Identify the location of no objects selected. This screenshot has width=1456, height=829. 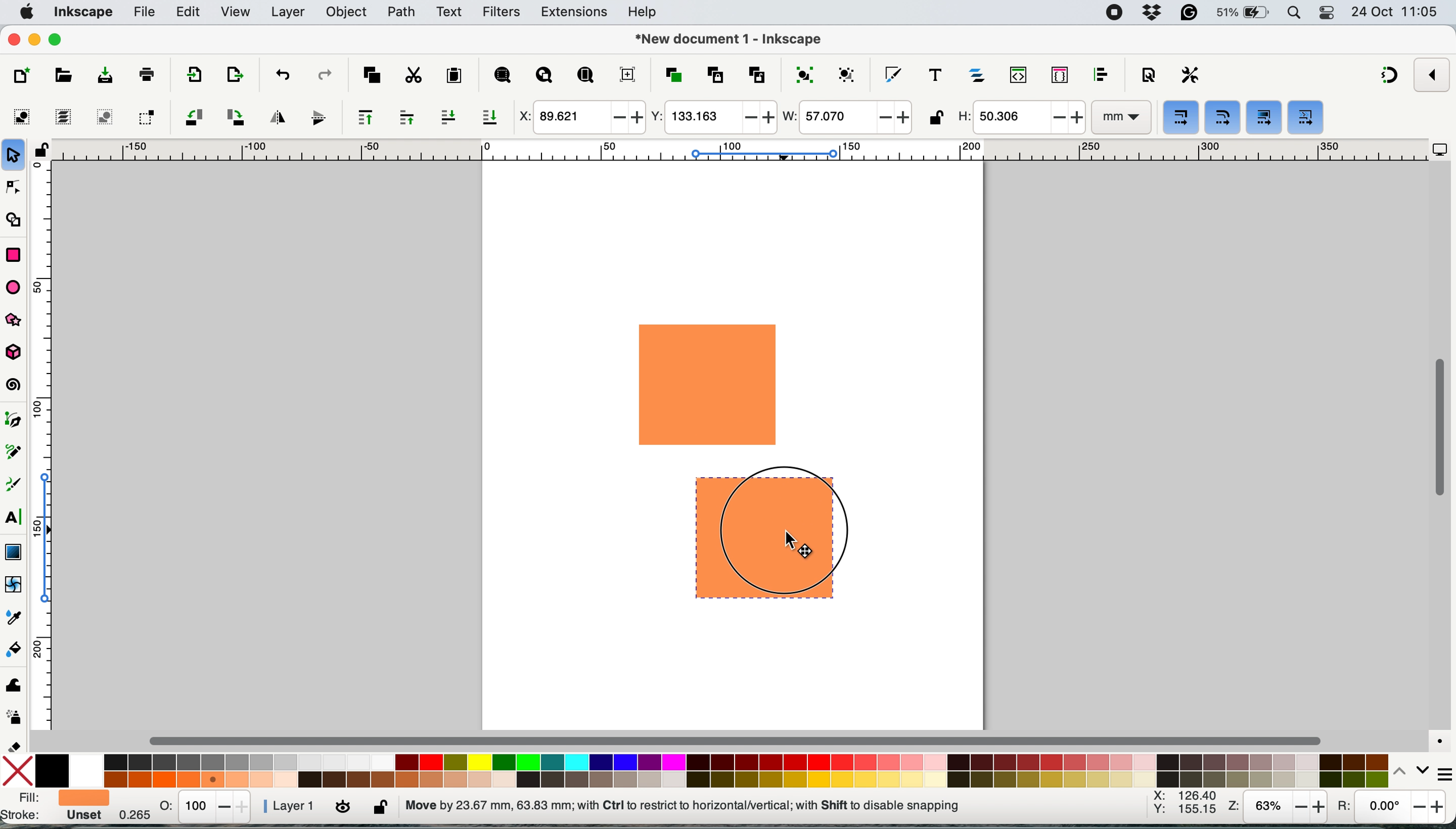
(704, 806).